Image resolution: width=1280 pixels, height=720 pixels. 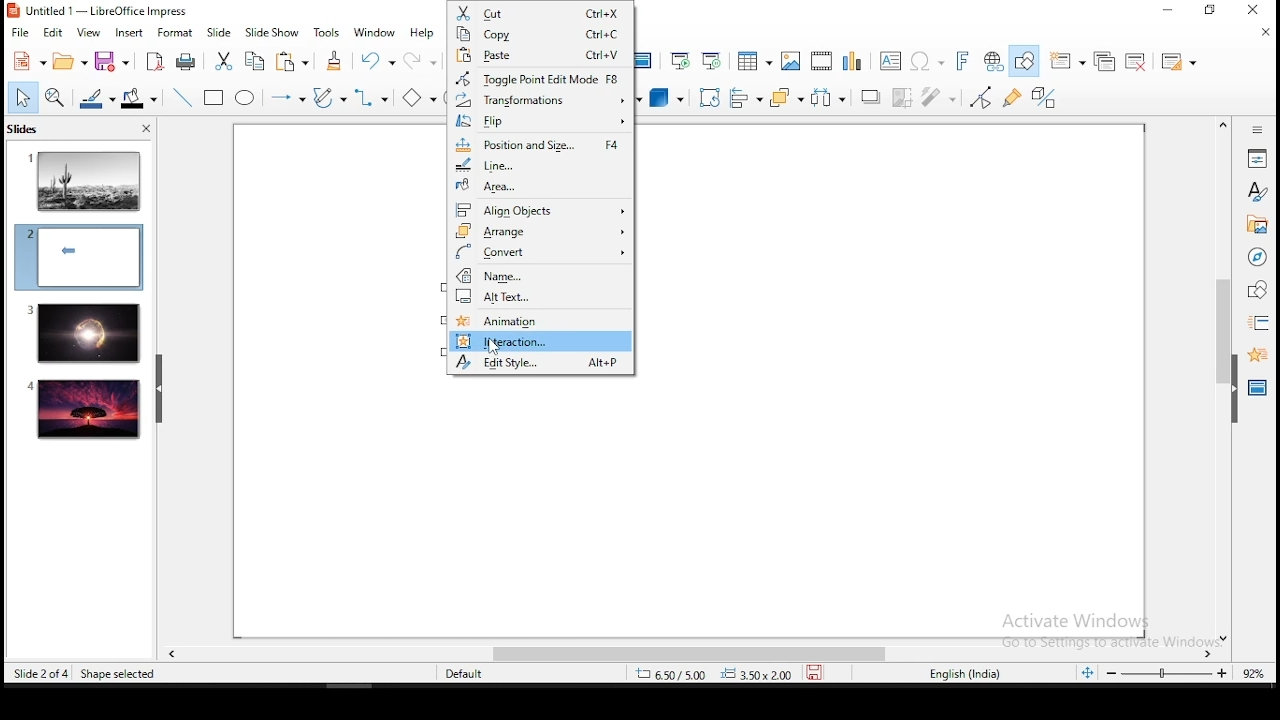 What do you see at coordinates (128, 32) in the screenshot?
I see `insert` at bounding box center [128, 32].